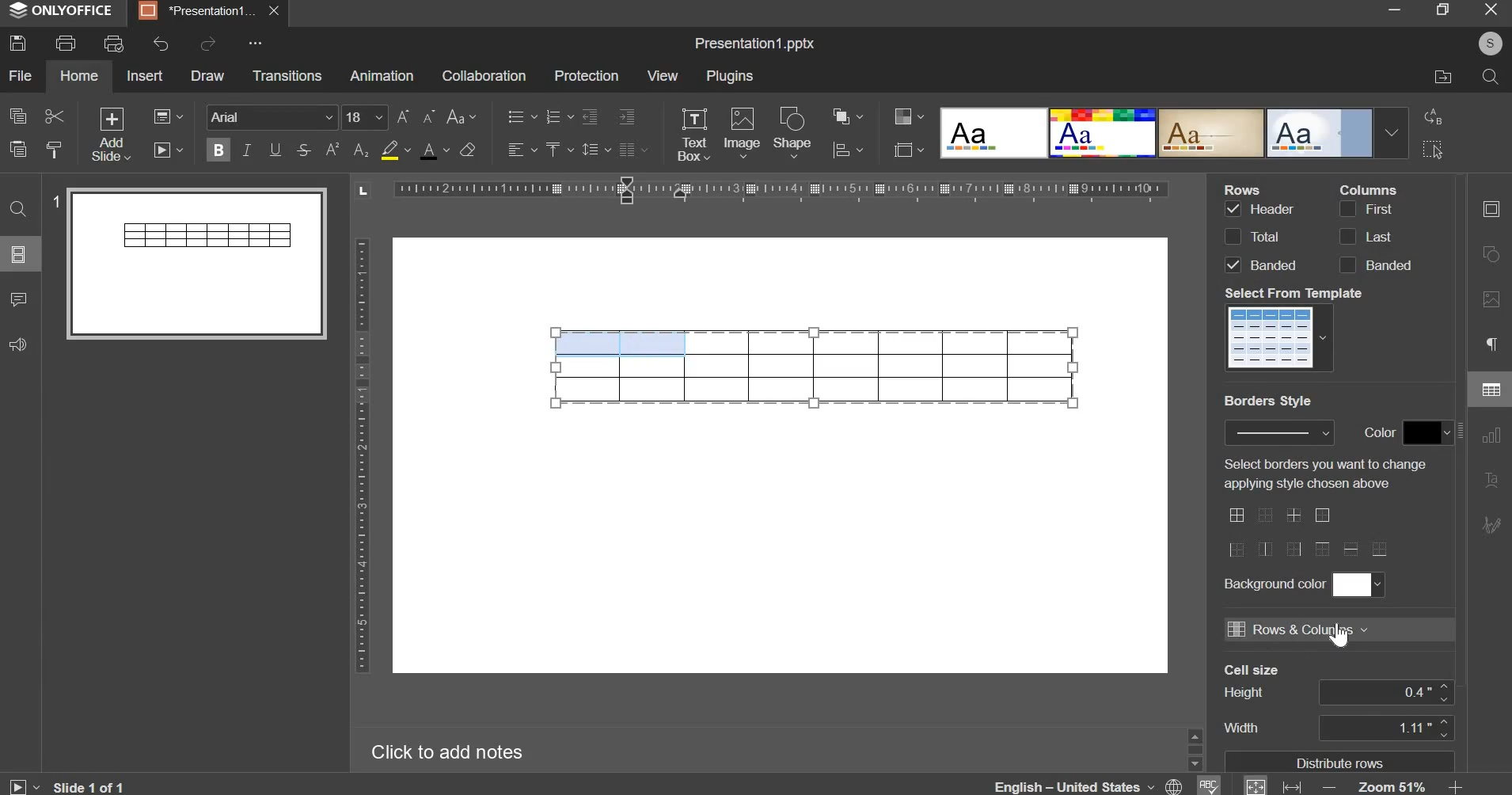 The height and width of the screenshot is (795, 1512). Describe the element at coordinates (1343, 762) in the screenshot. I see `Distribute rows` at that location.